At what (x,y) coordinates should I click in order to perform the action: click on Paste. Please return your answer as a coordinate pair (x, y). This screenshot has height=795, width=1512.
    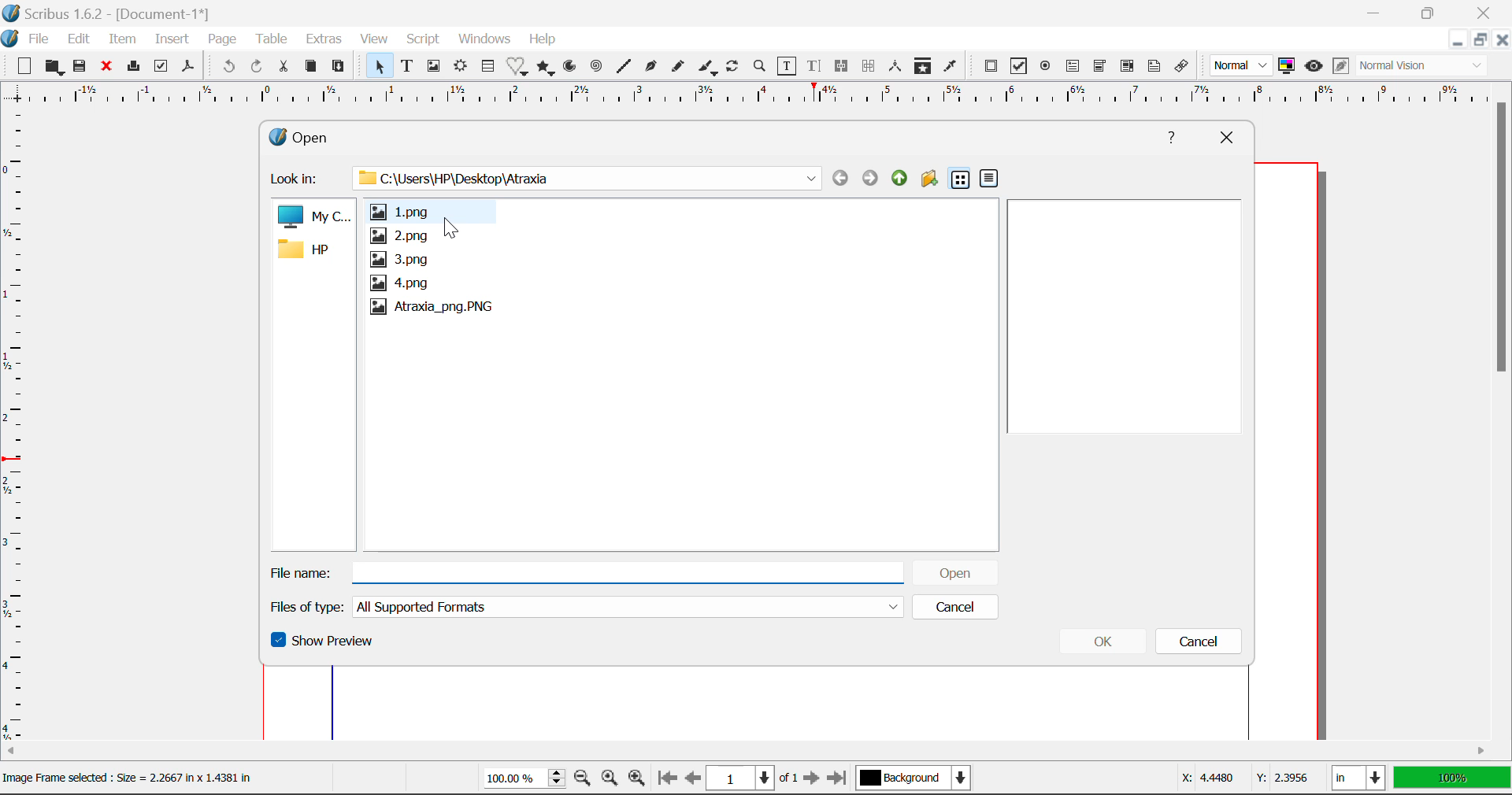
    Looking at the image, I should click on (342, 65).